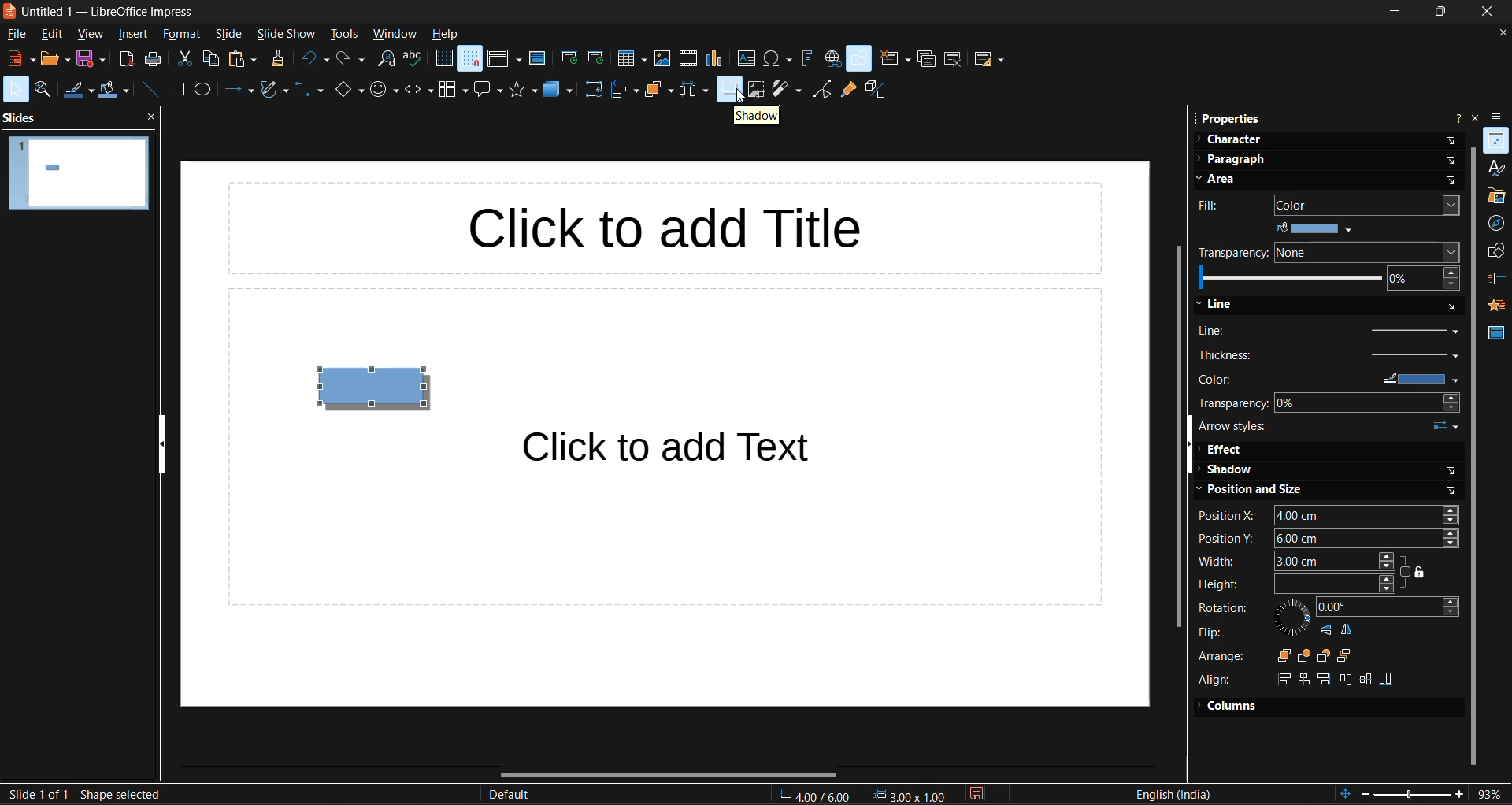  Describe the element at coordinates (1185, 443) in the screenshot. I see `hide` at that location.